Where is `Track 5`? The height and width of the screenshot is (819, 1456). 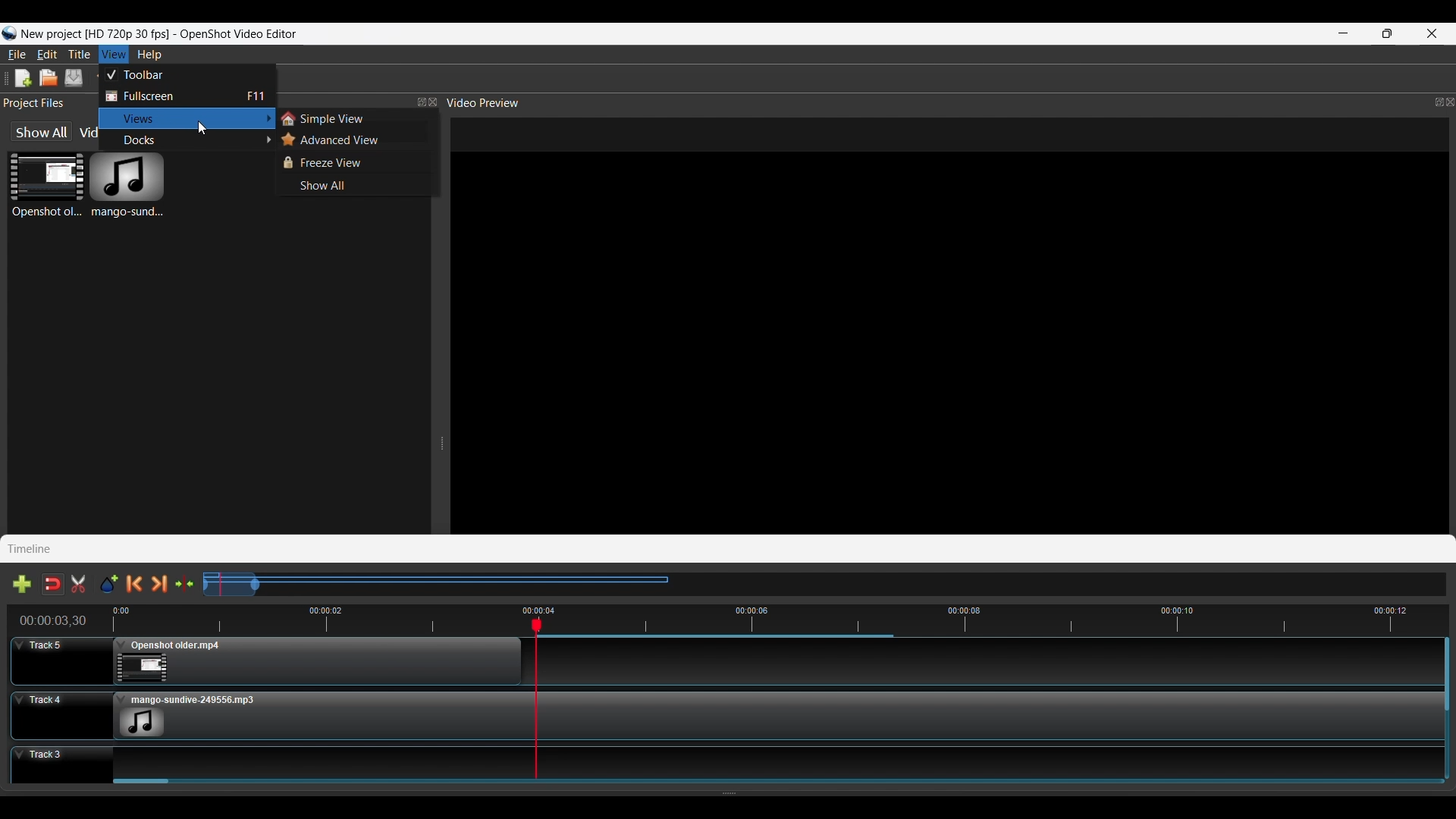
Track 5 is located at coordinates (720, 663).